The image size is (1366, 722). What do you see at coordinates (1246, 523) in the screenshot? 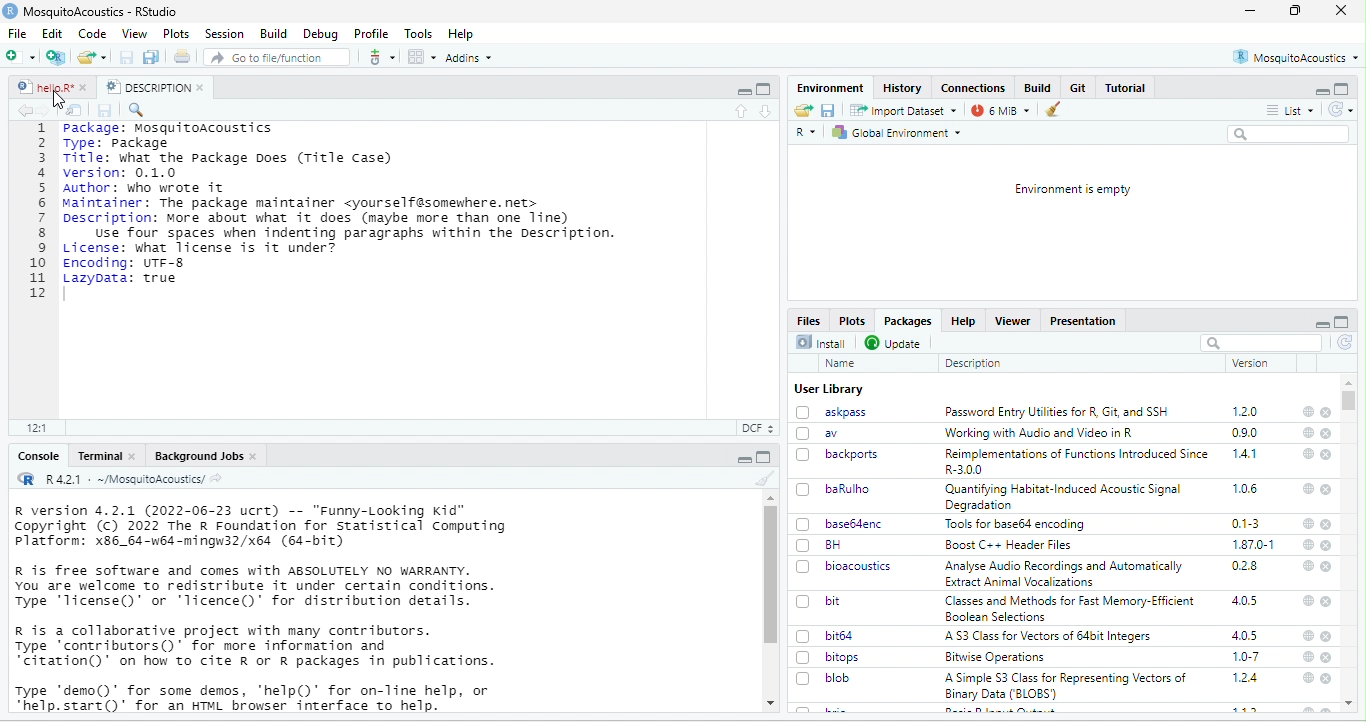
I see `0.1-3` at bounding box center [1246, 523].